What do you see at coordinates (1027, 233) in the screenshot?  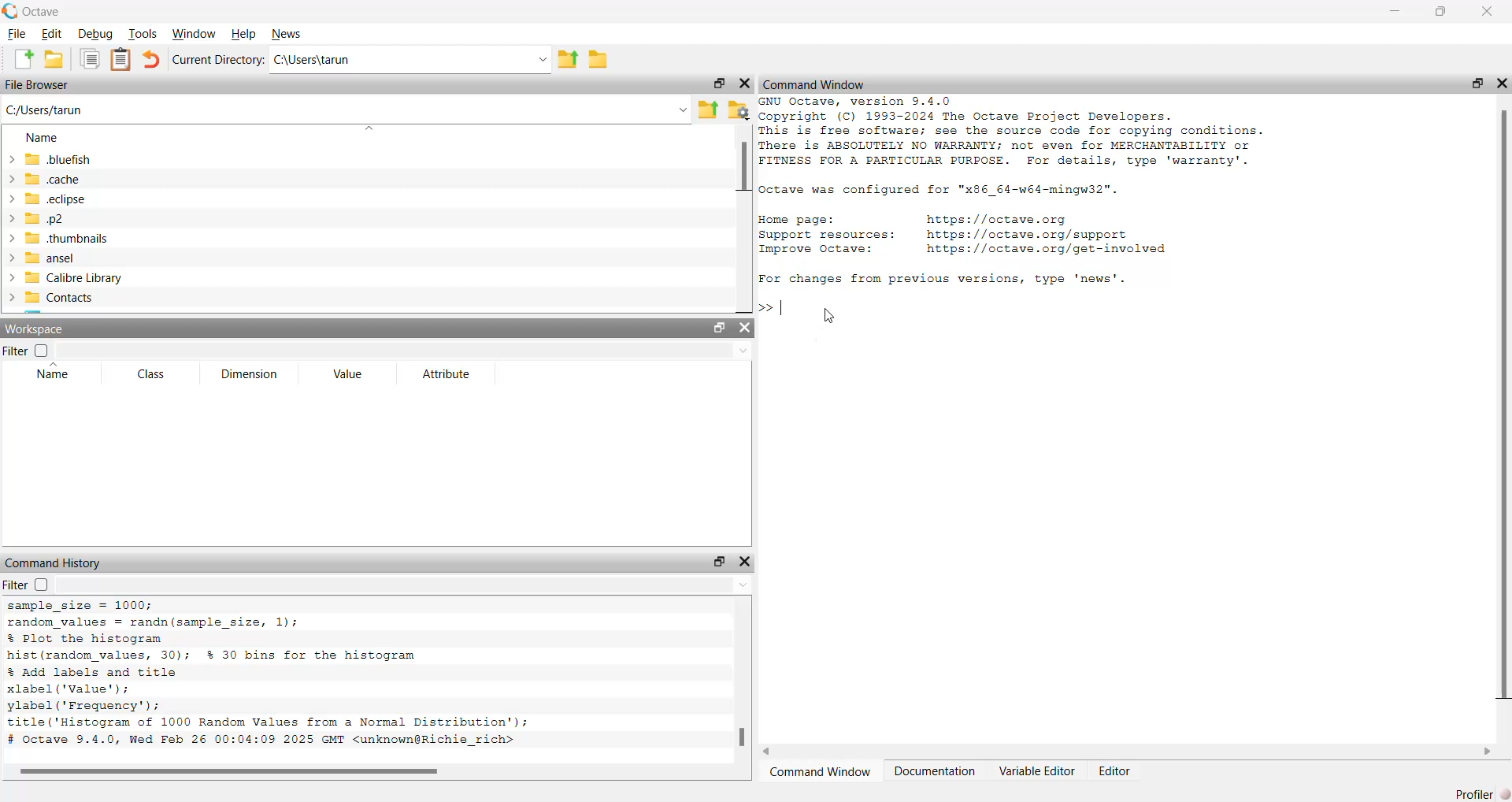 I see `https://octave.org/support` at bounding box center [1027, 233].